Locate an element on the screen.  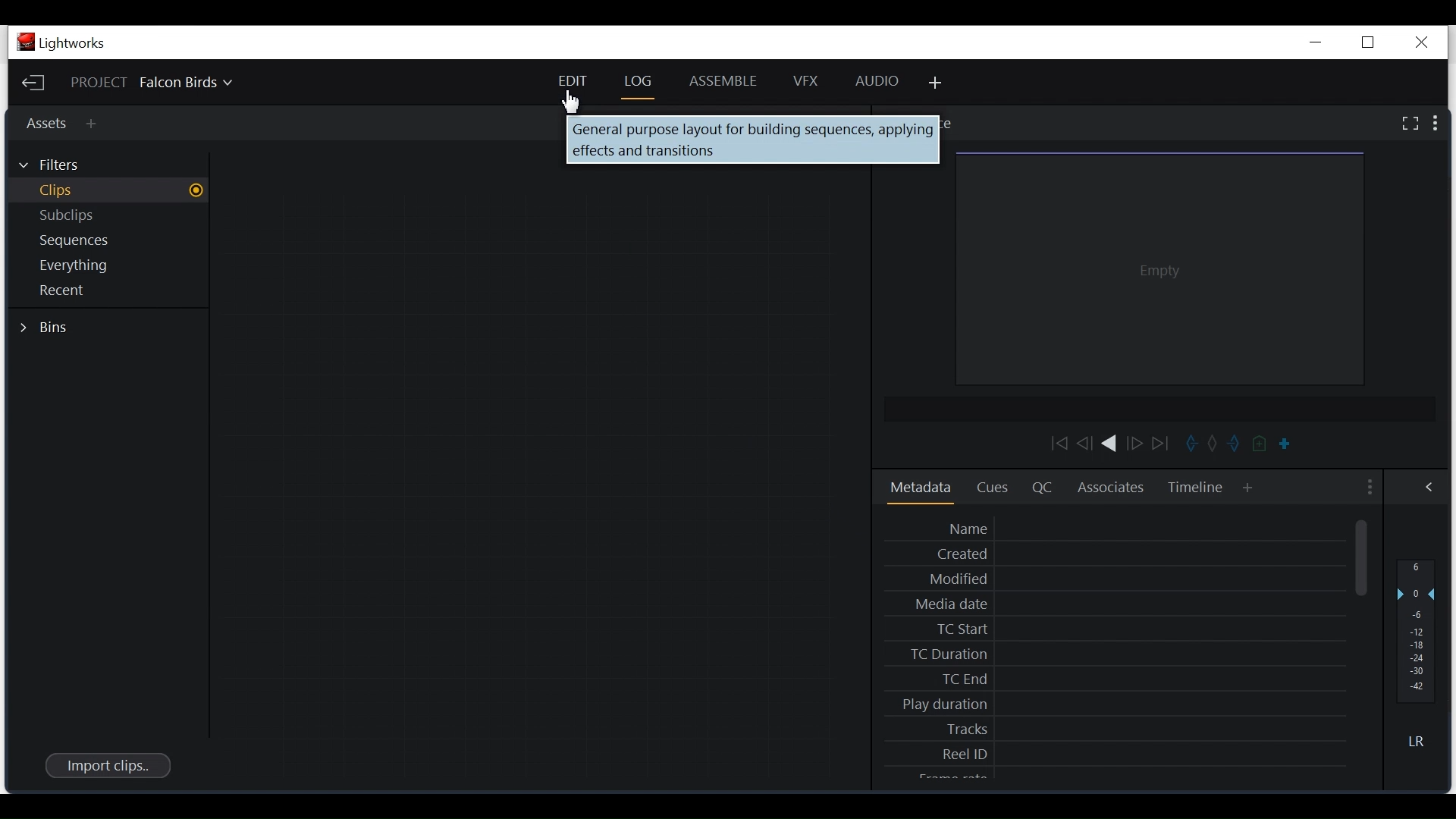
Metadata Panel is located at coordinates (921, 488).